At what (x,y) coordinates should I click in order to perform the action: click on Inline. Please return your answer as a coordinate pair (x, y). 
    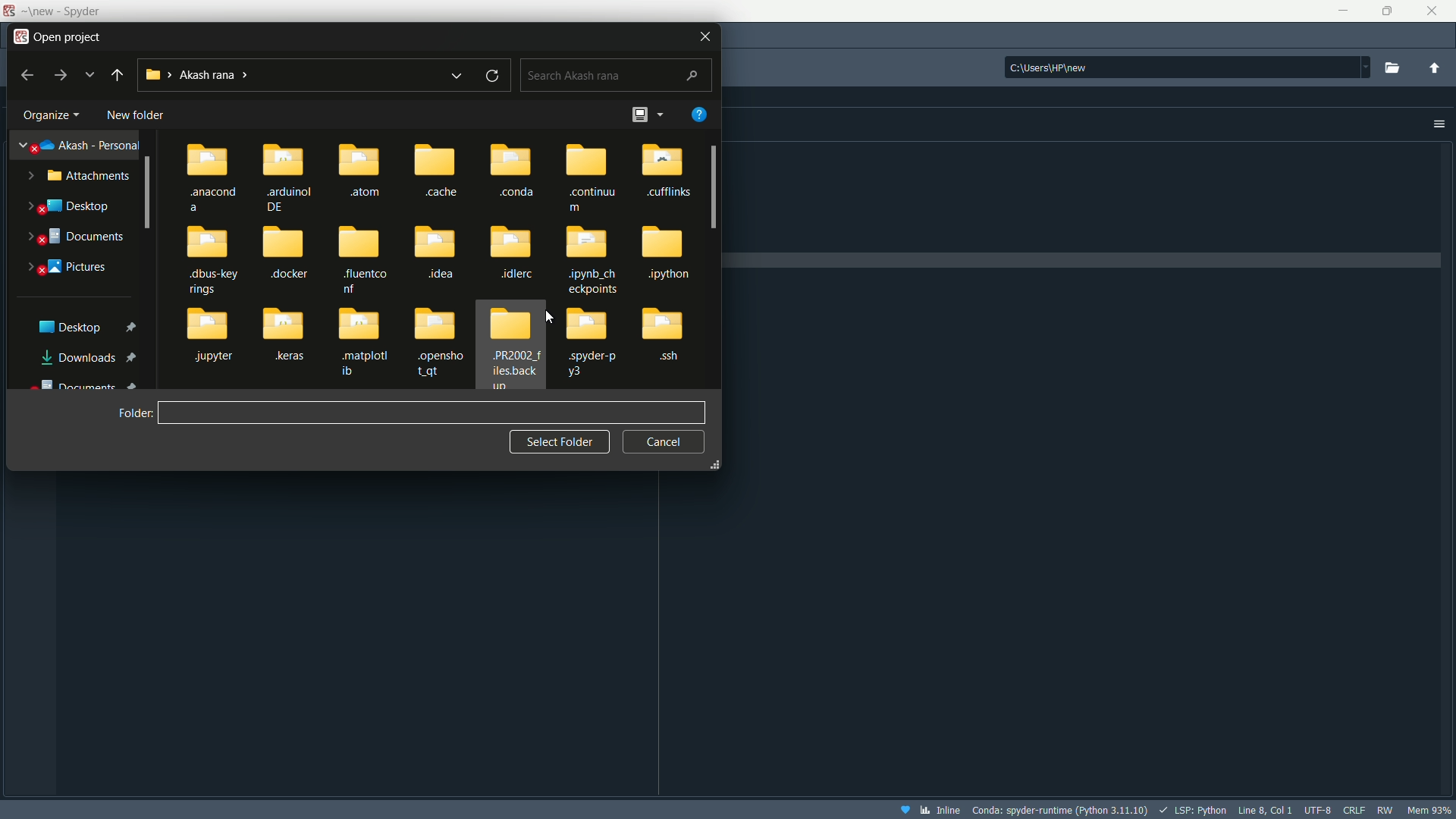
    Looking at the image, I should click on (930, 809).